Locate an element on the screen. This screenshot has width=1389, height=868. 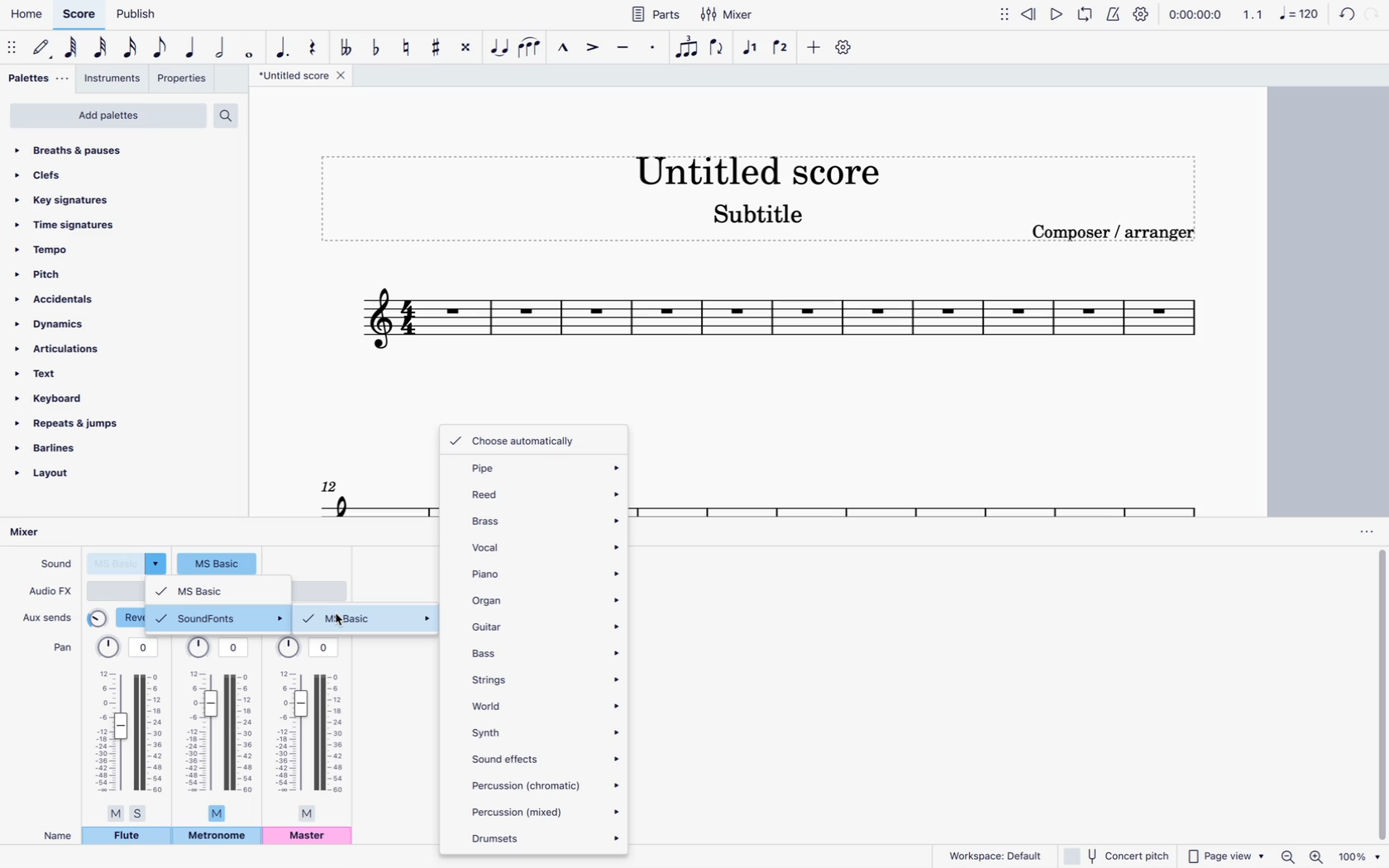
search is located at coordinates (231, 115).